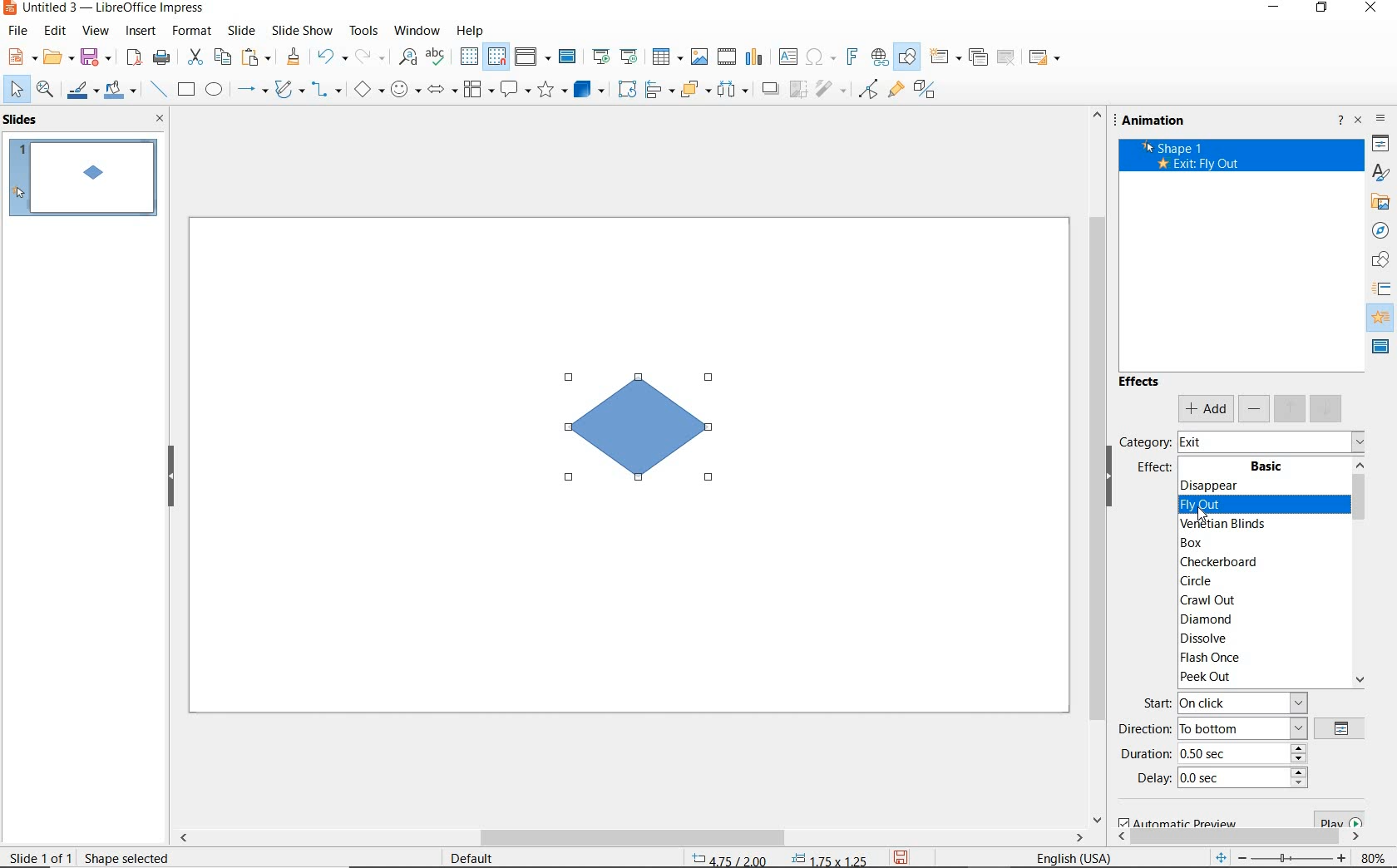 This screenshot has width=1397, height=868. I want to click on crop image, so click(798, 90).